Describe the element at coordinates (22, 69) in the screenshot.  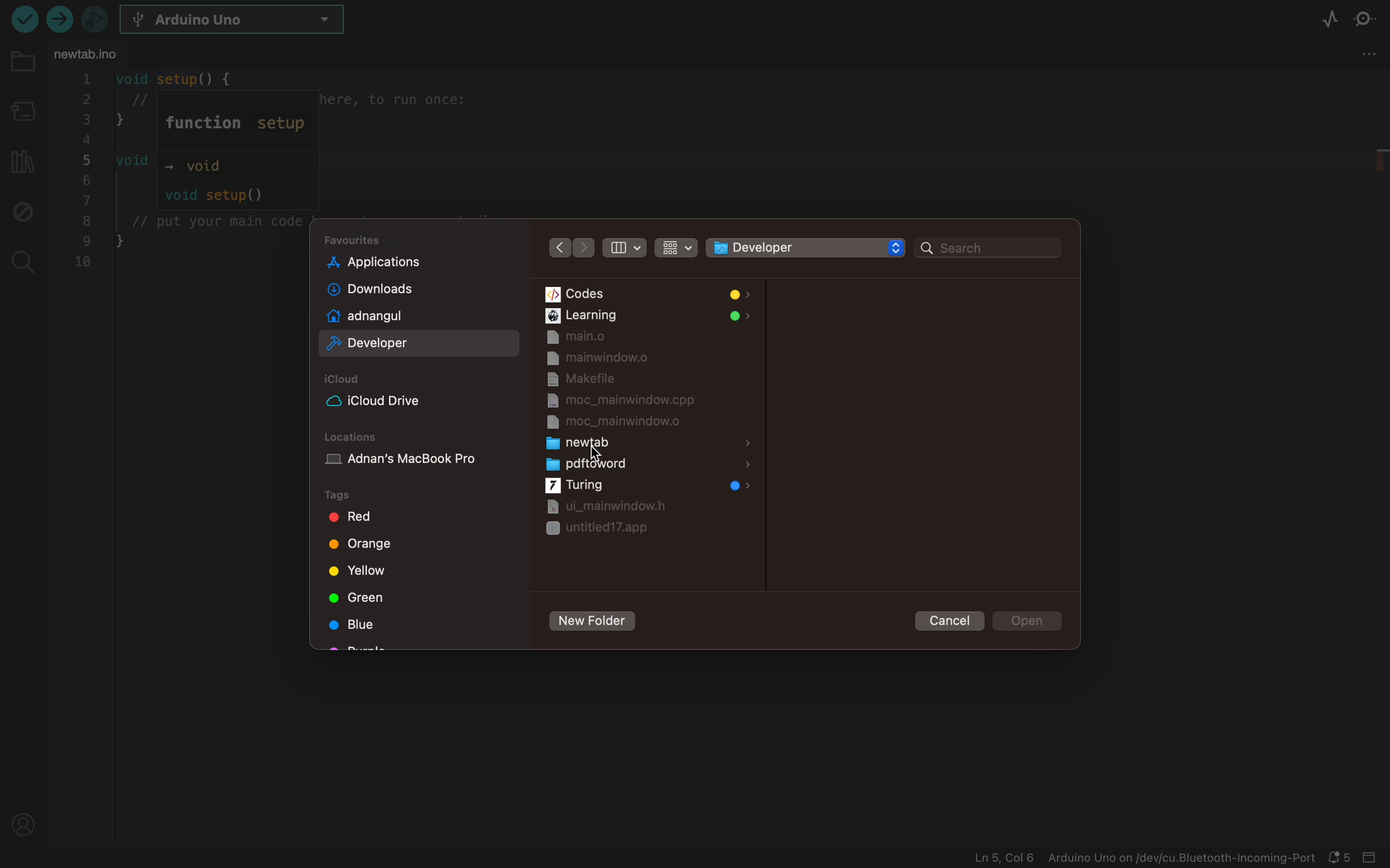
I see `folder` at that location.